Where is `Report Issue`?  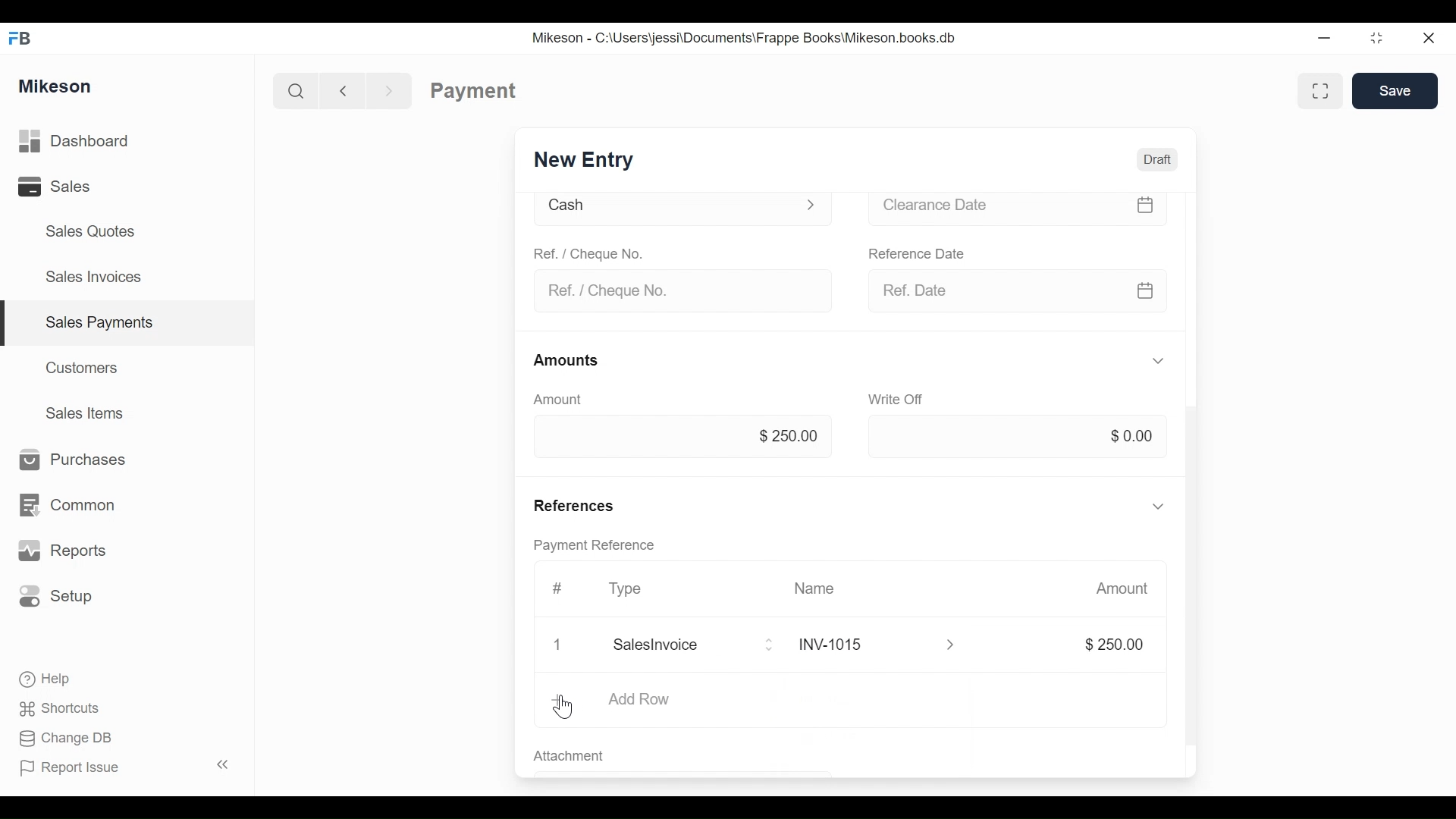
Report Issue is located at coordinates (77, 768).